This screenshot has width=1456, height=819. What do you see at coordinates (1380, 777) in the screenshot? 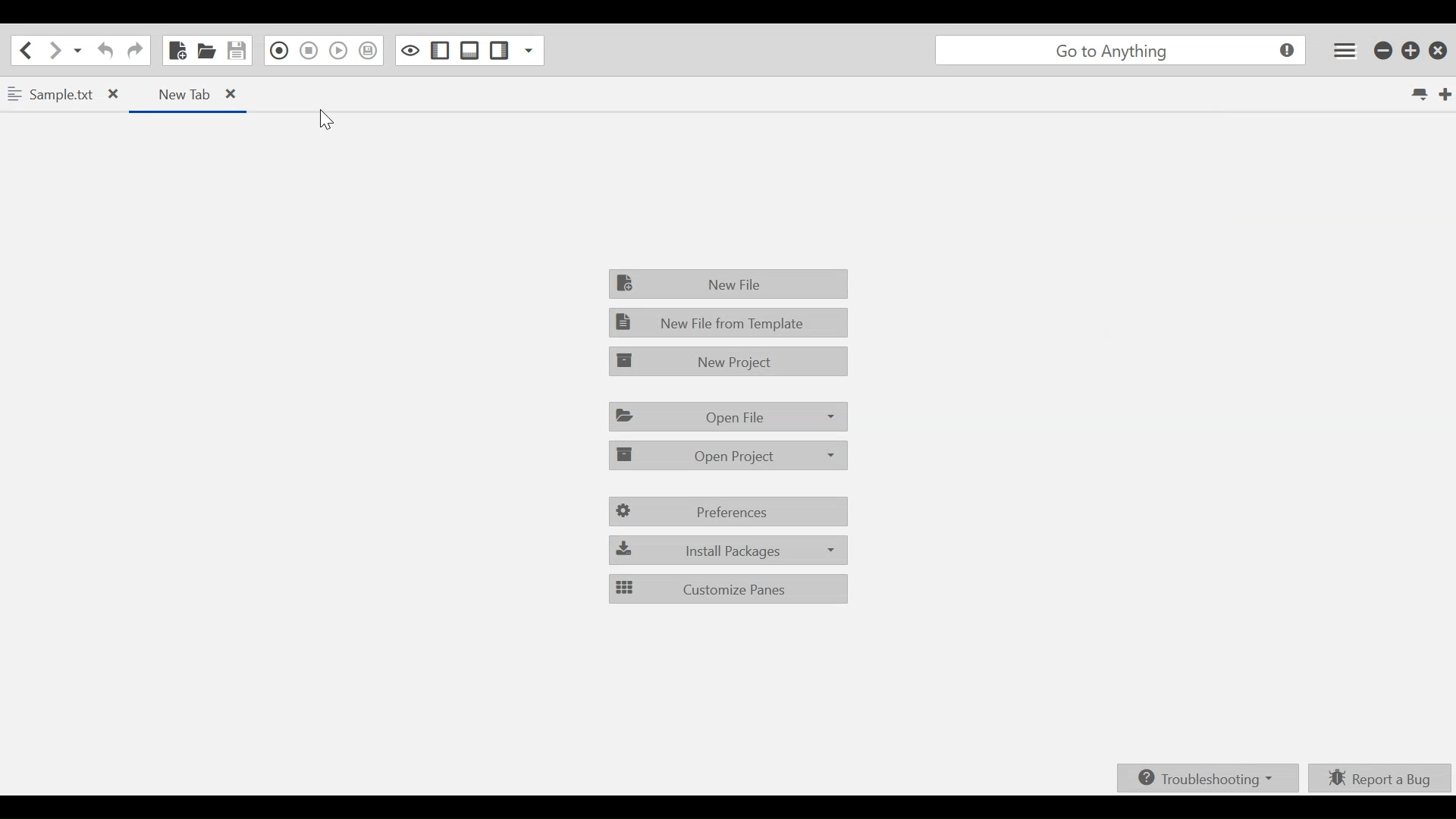
I see `Report Bug` at bounding box center [1380, 777].